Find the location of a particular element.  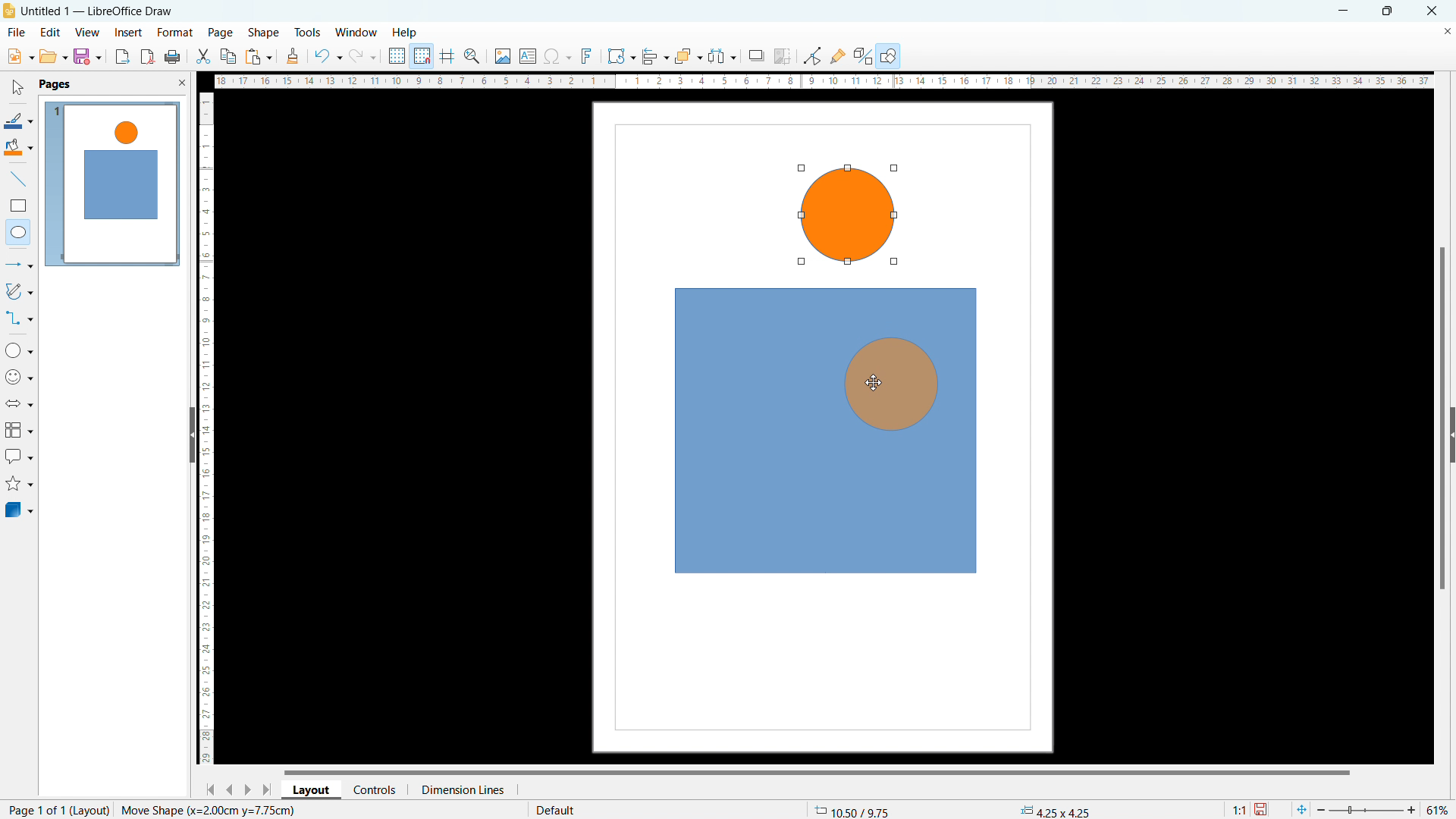

window is located at coordinates (357, 33).